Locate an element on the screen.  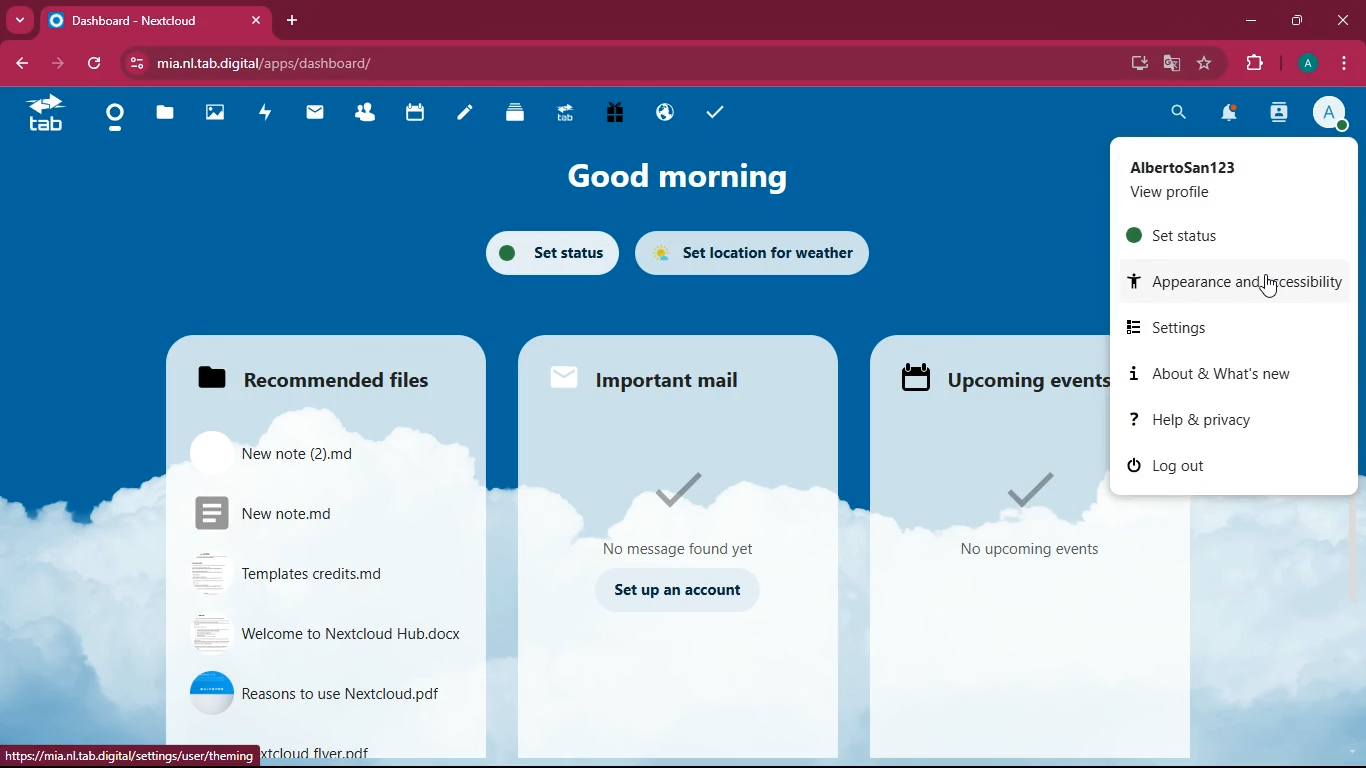
files is located at coordinates (311, 377).